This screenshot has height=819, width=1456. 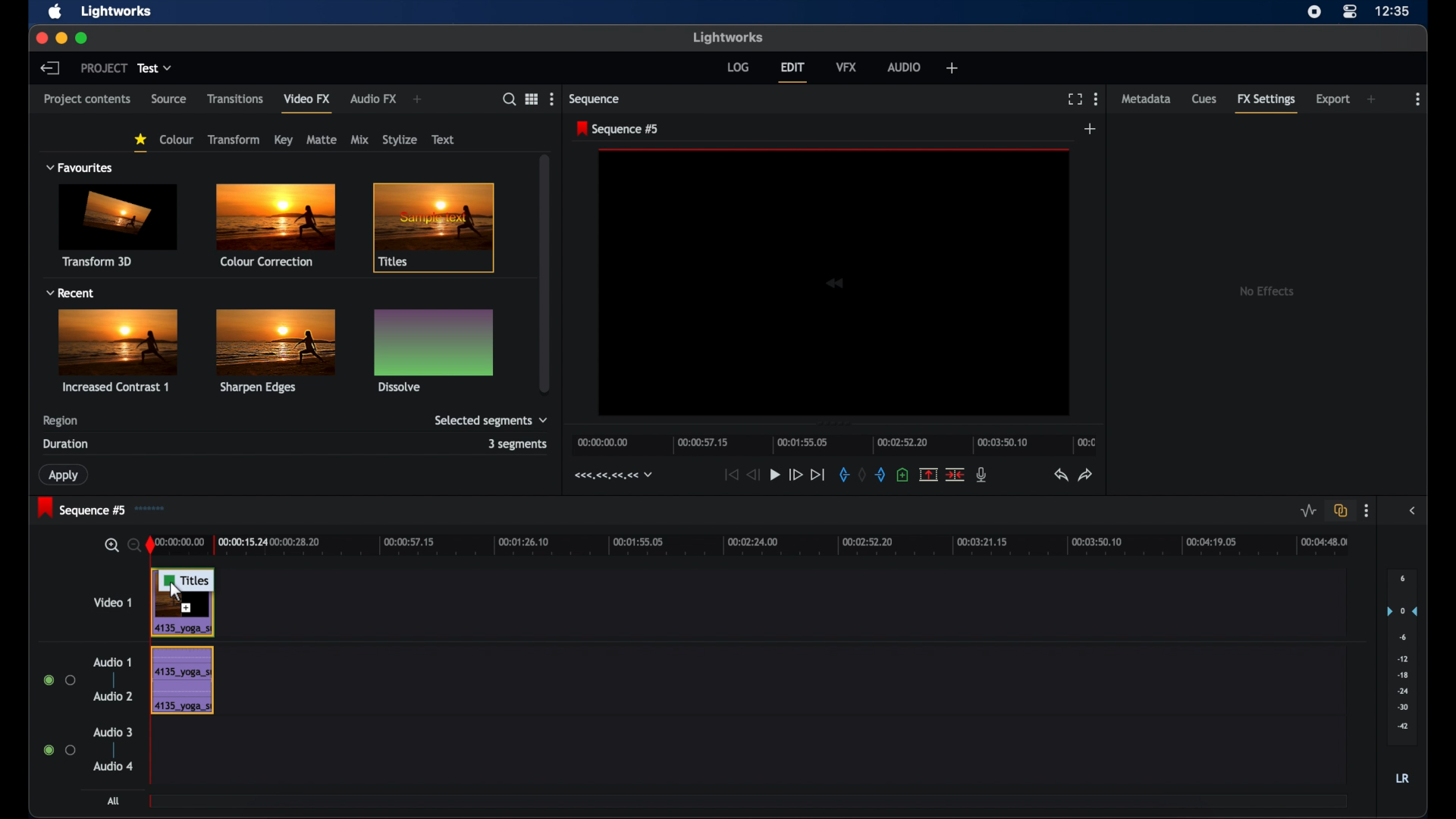 I want to click on sequence icon, so click(x=154, y=508).